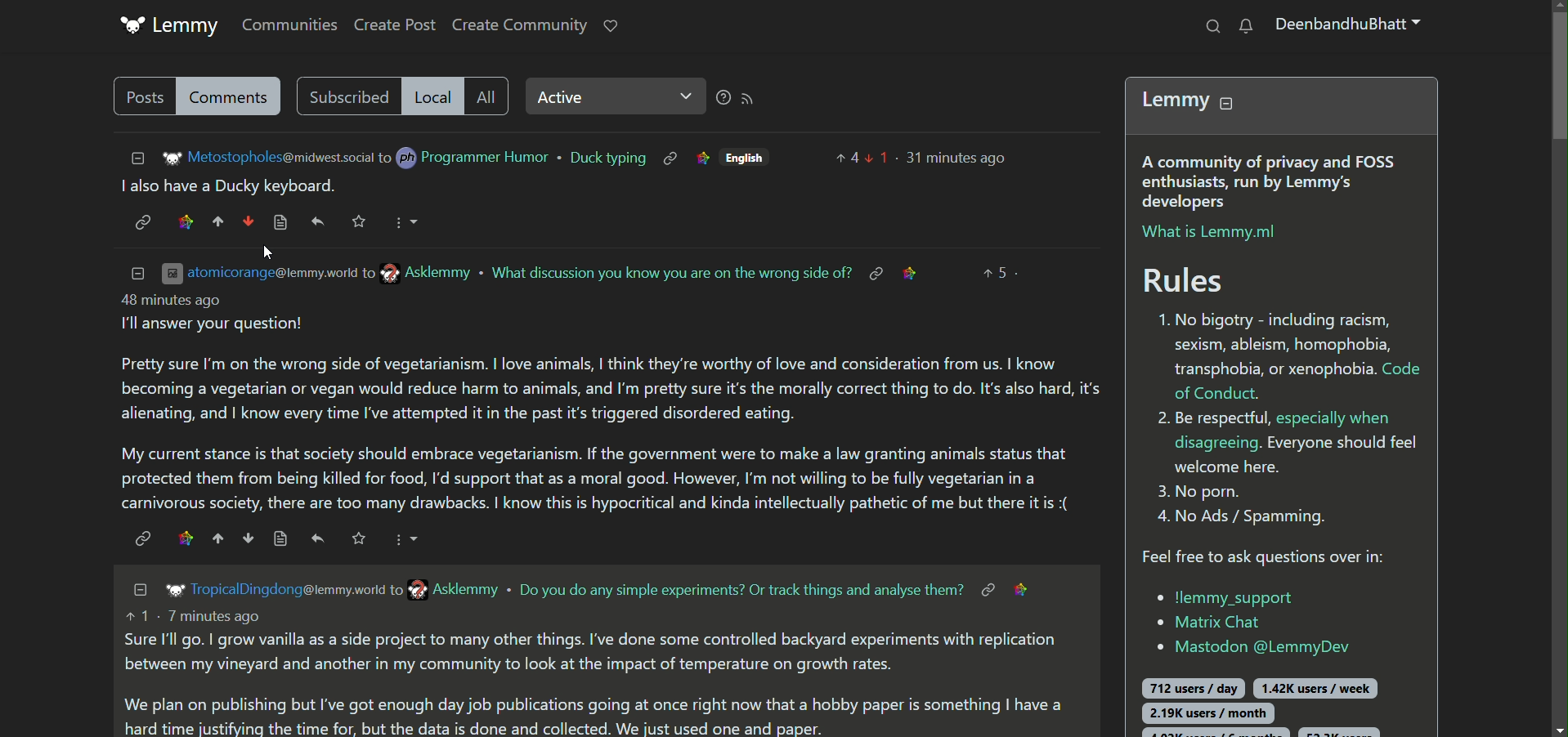  Describe the element at coordinates (750, 158) in the screenshot. I see `language` at that location.